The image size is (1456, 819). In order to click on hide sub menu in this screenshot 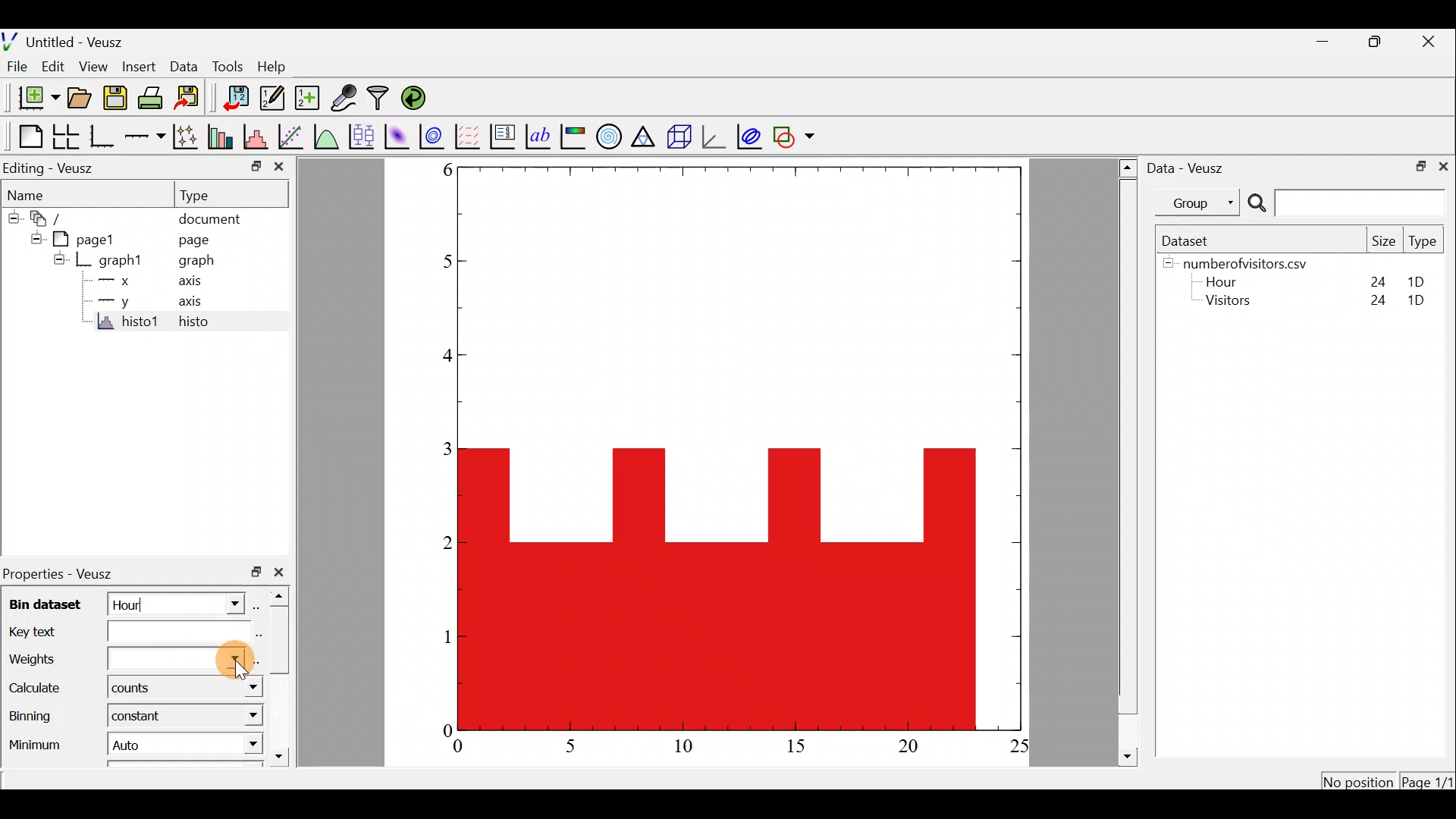, I will do `click(11, 216)`.